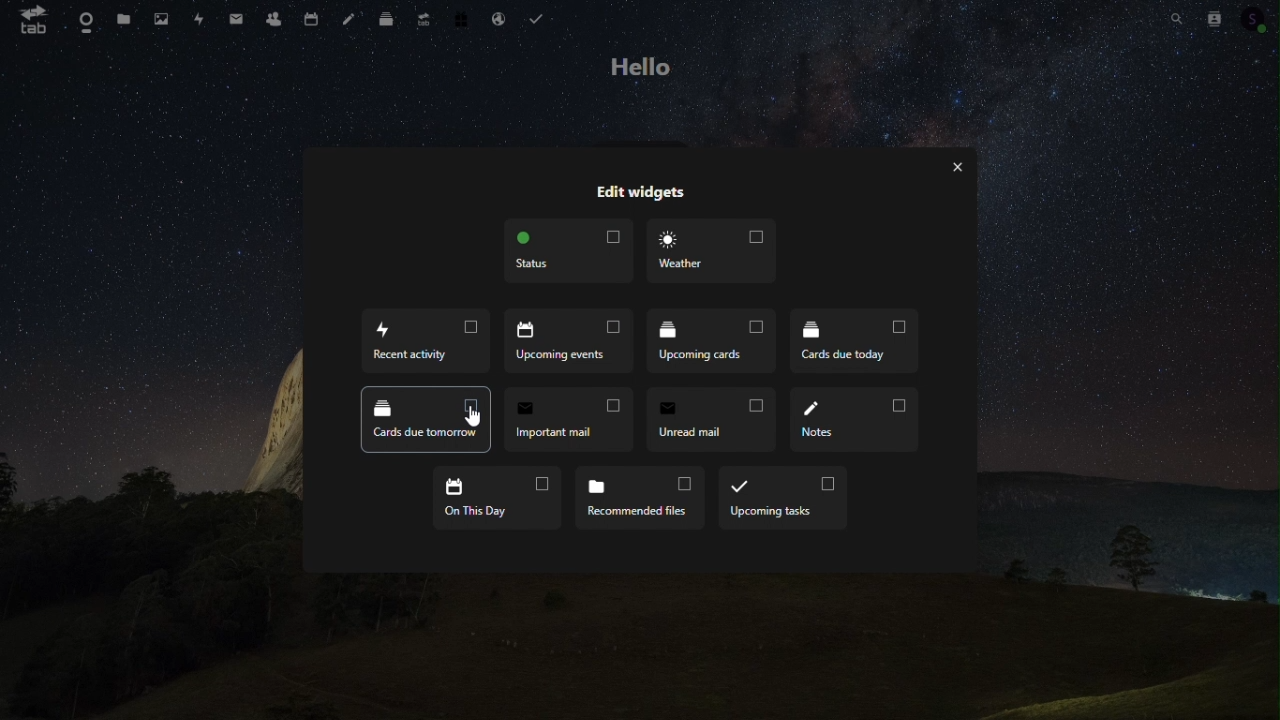 This screenshot has height=720, width=1280. I want to click on Notes, so click(347, 16).